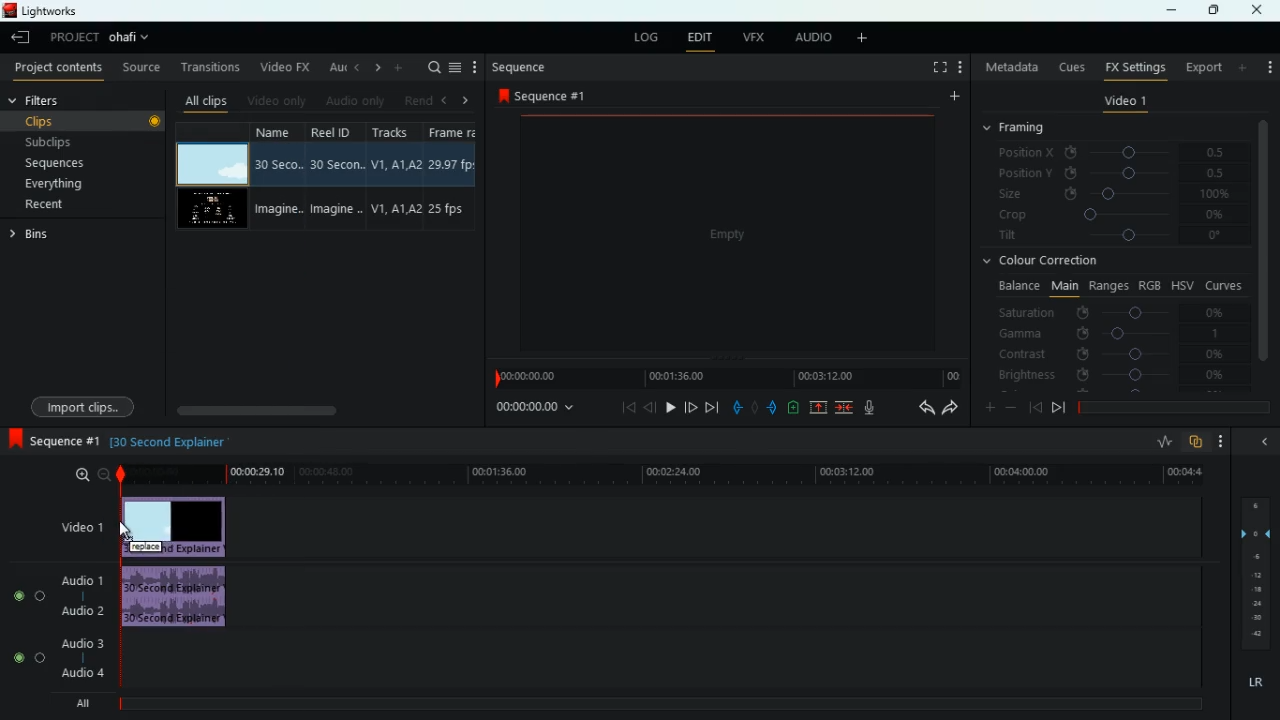  I want to click on brightness, so click(1110, 374).